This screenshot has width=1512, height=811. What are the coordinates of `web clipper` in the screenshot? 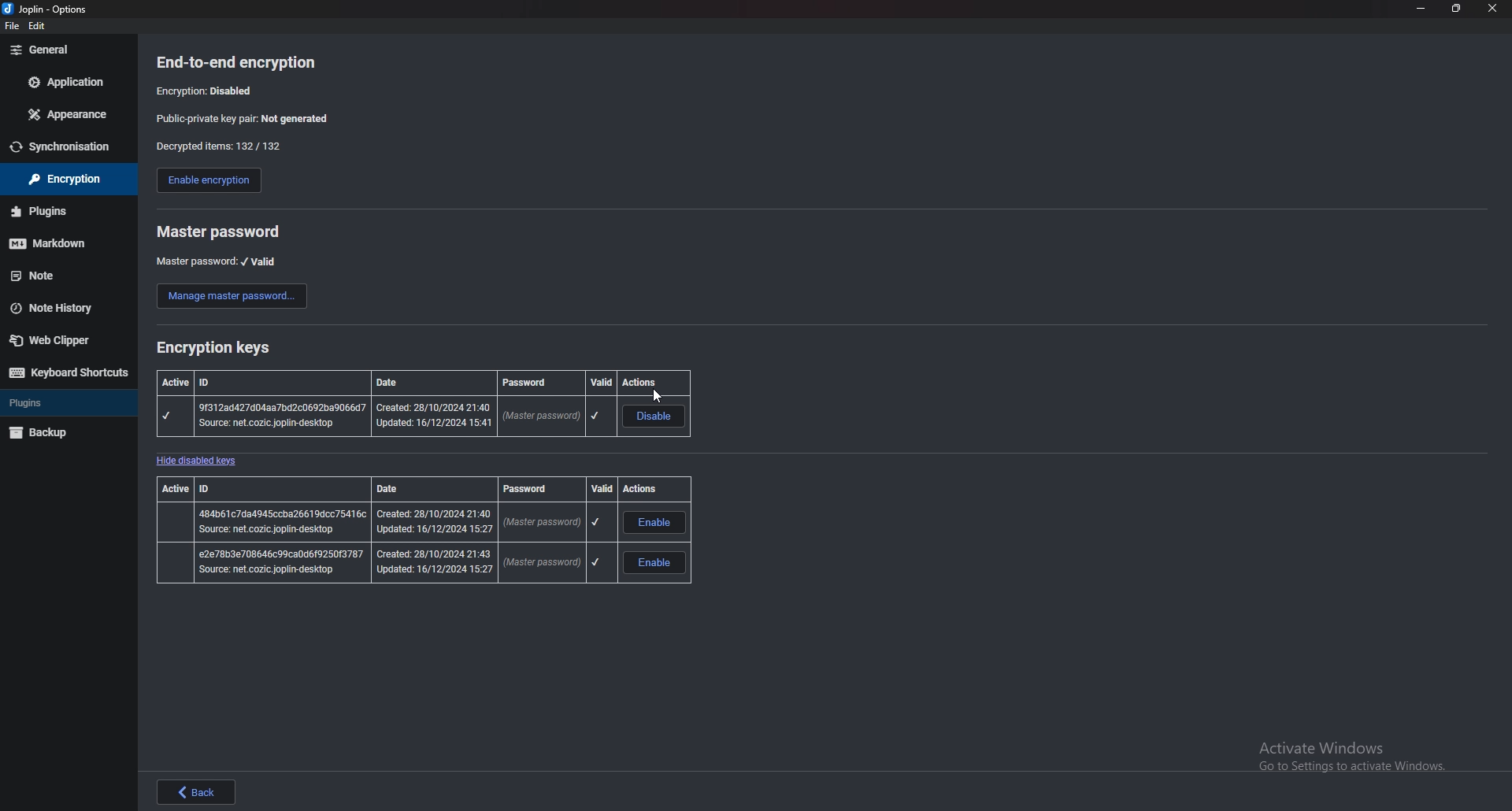 It's located at (63, 339).